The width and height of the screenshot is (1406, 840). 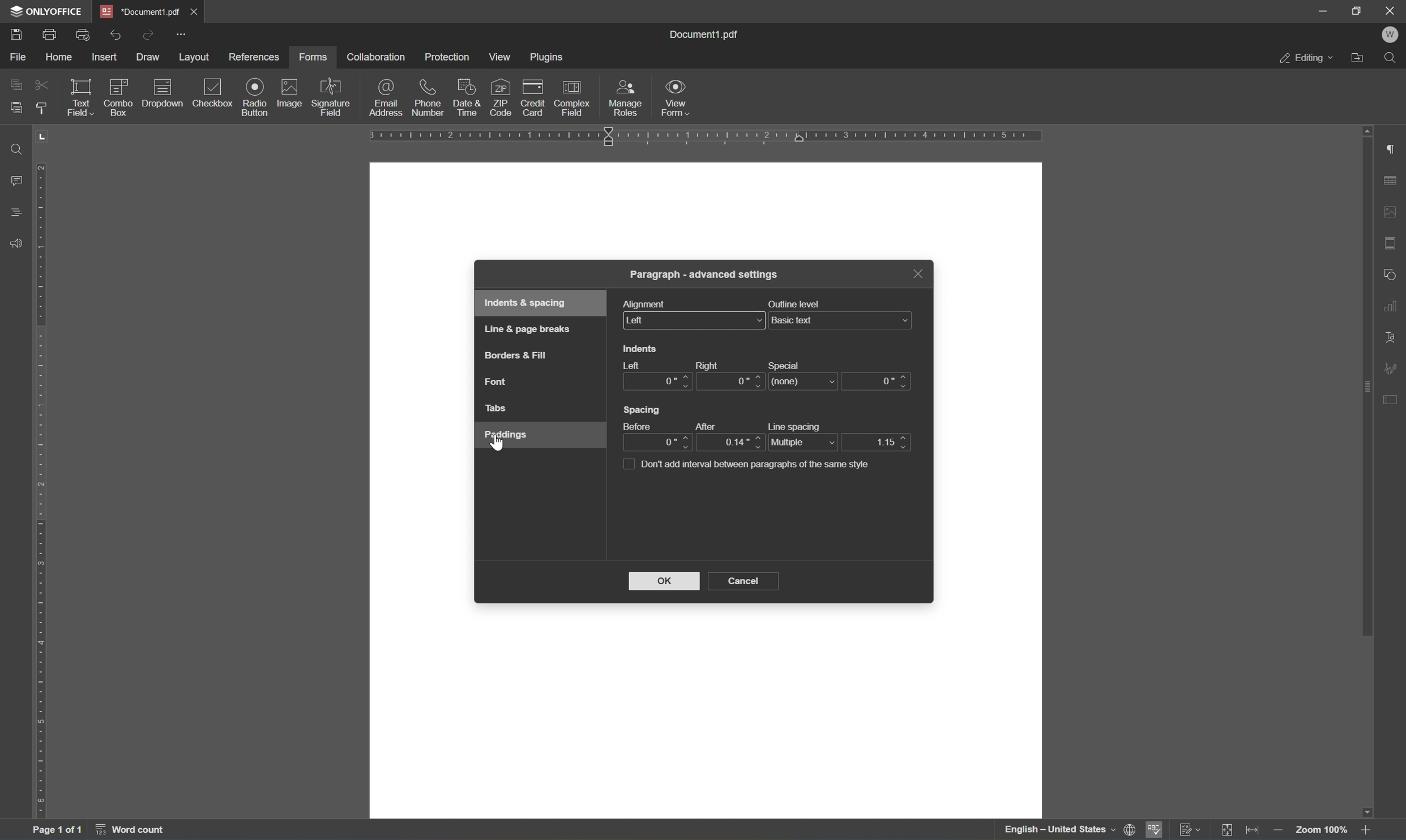 What do you see at coordinates (142, 12) in the screenshot?
I see `document1` at bounding box center [142, 12].